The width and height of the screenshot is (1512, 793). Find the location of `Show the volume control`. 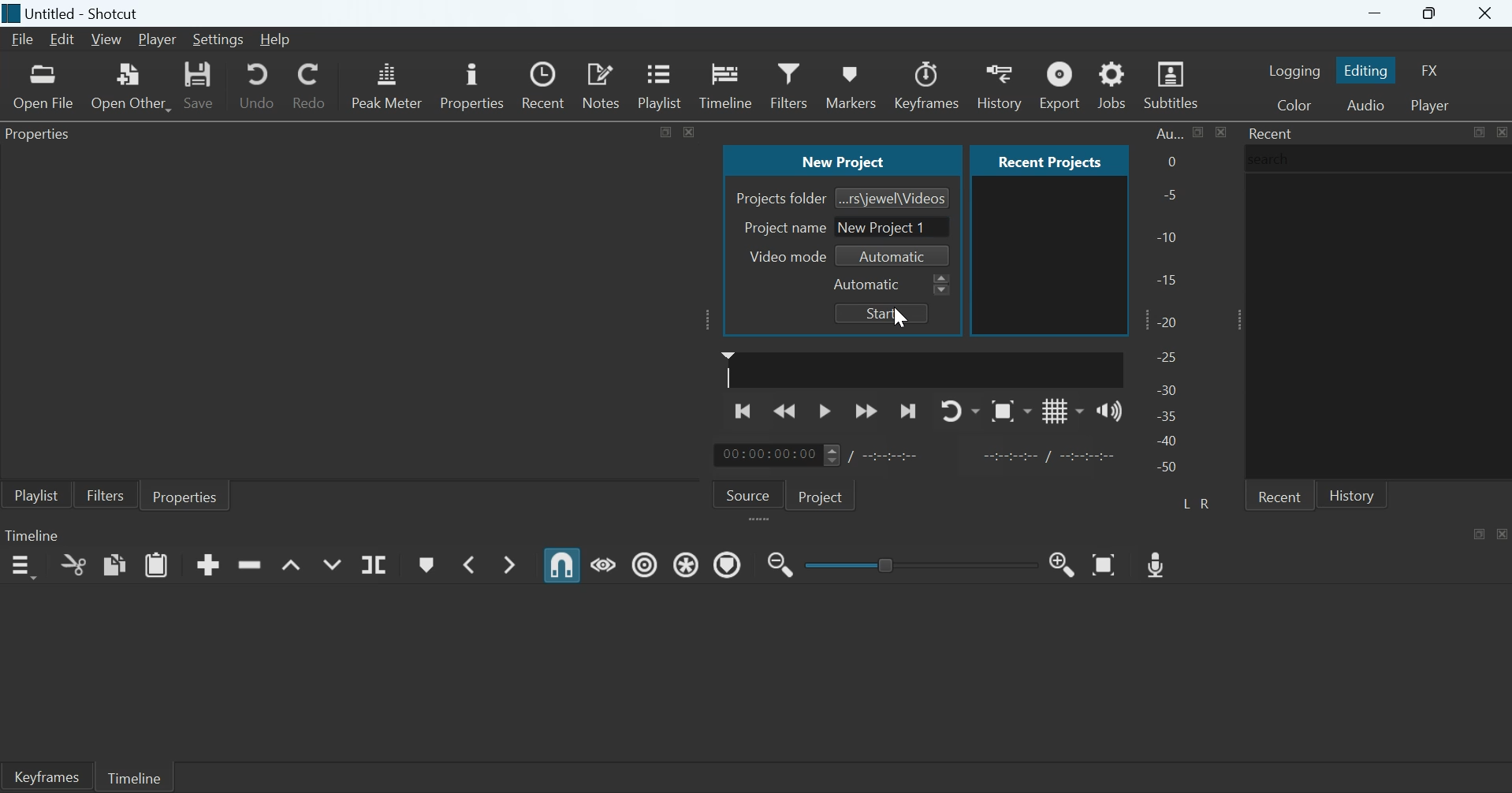

Show the volume control is located at coordinates (1109, 410).